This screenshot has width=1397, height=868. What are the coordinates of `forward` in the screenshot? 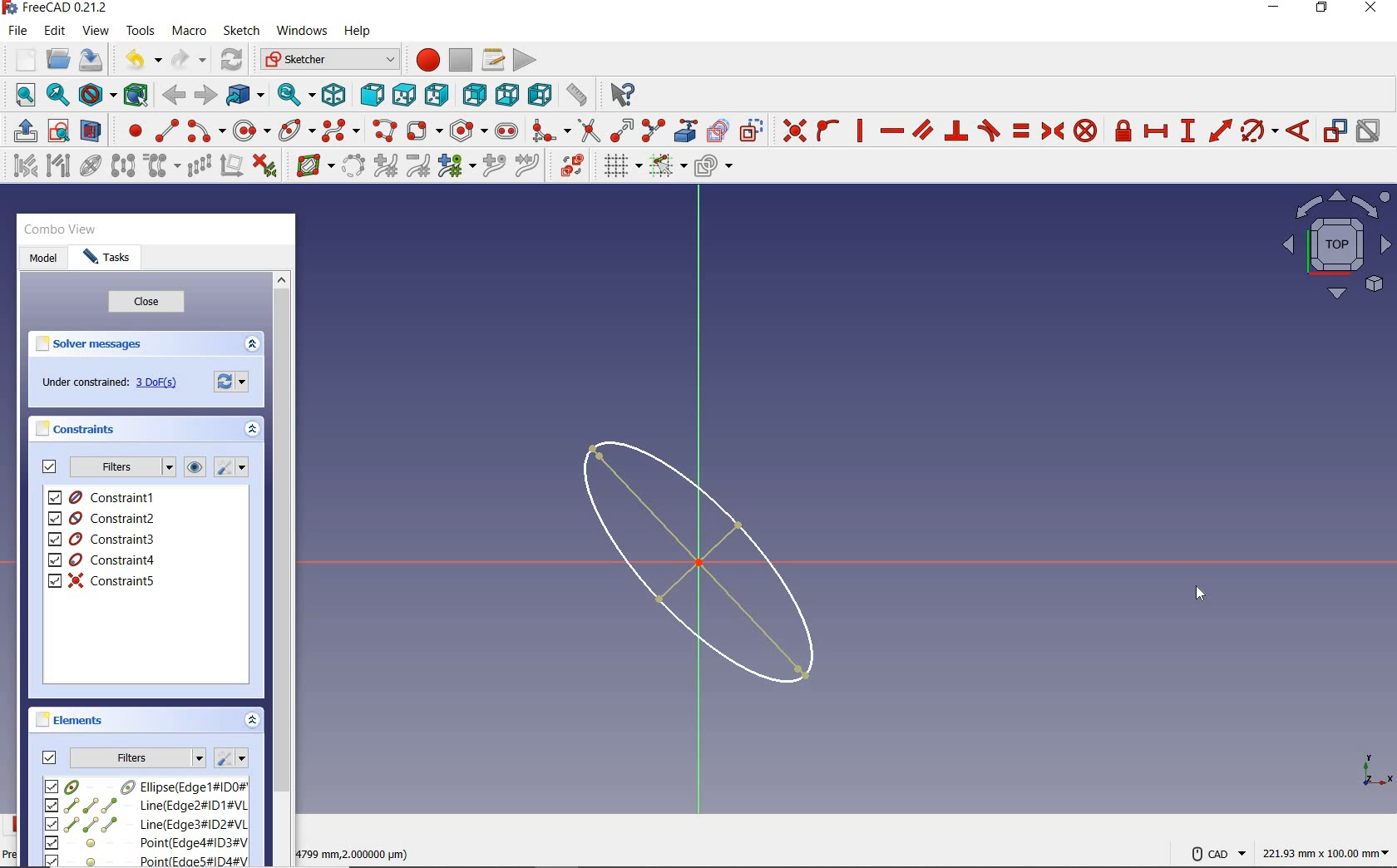 It's located at (204, 96).